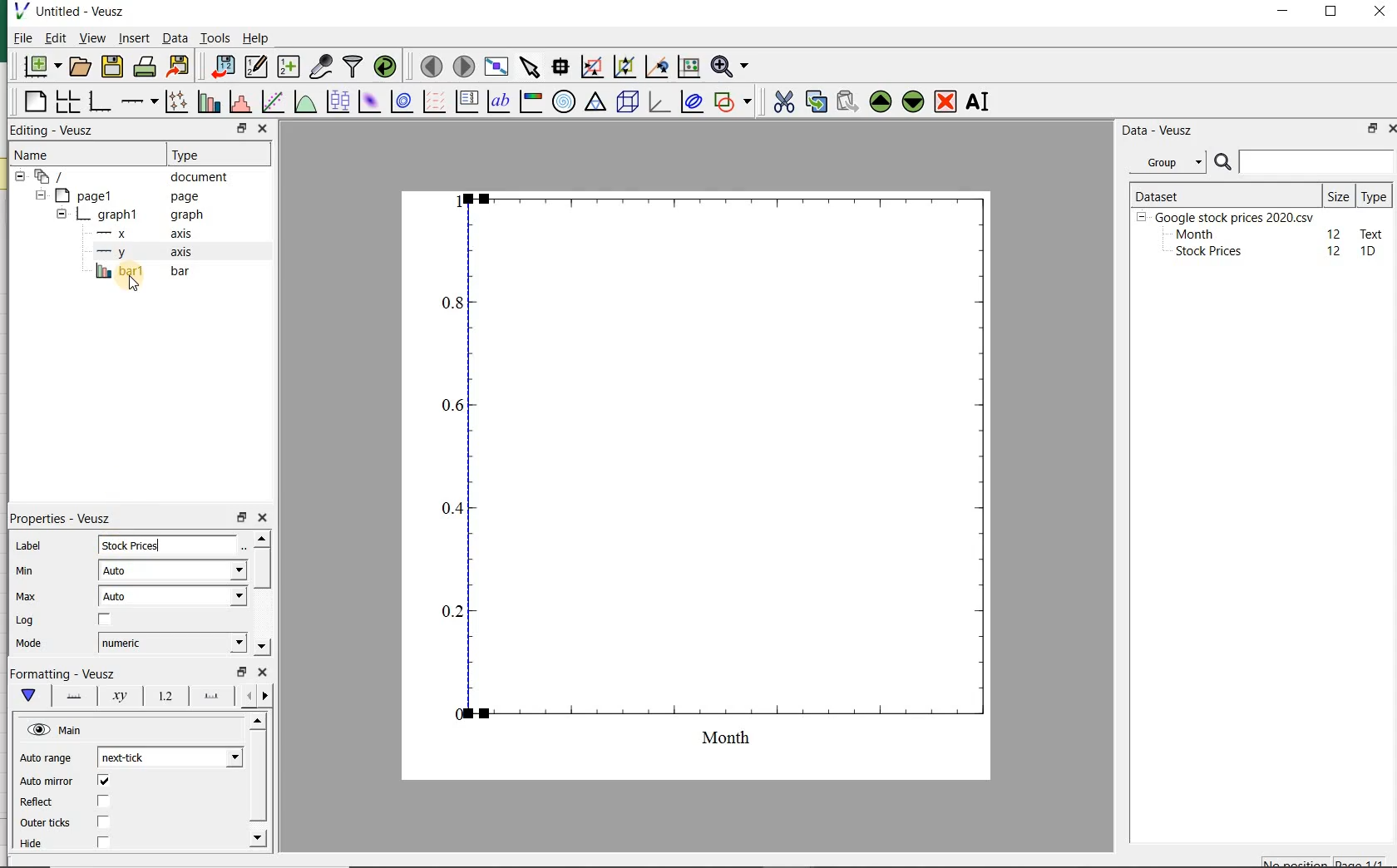  What do you see at coordinates (353, 66) in the screenshot?
I see `filter data` at bounding box center [353, 66].